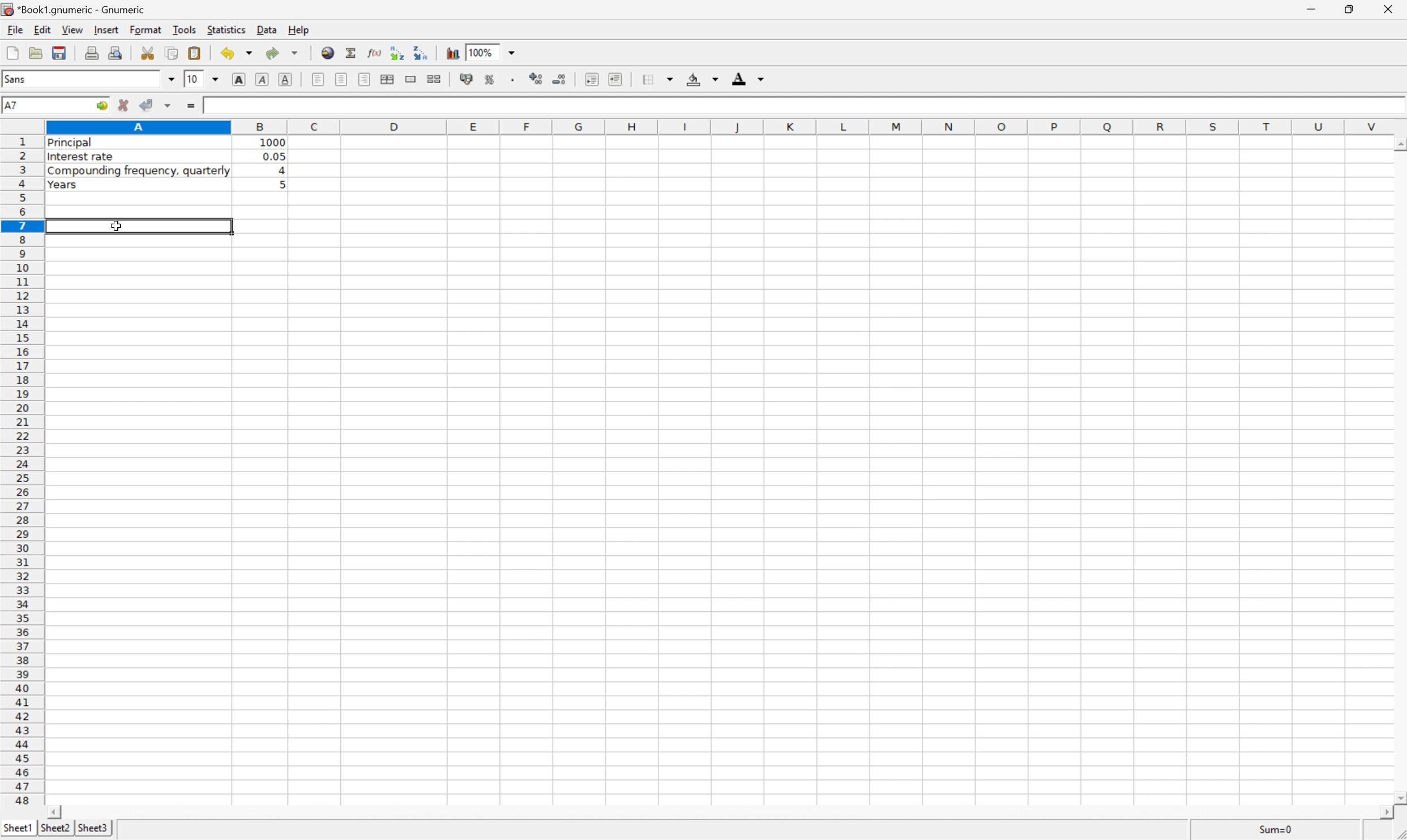  Describe the element at coordinates (746, 78) in the screenshot. I see `foreground` at that location.